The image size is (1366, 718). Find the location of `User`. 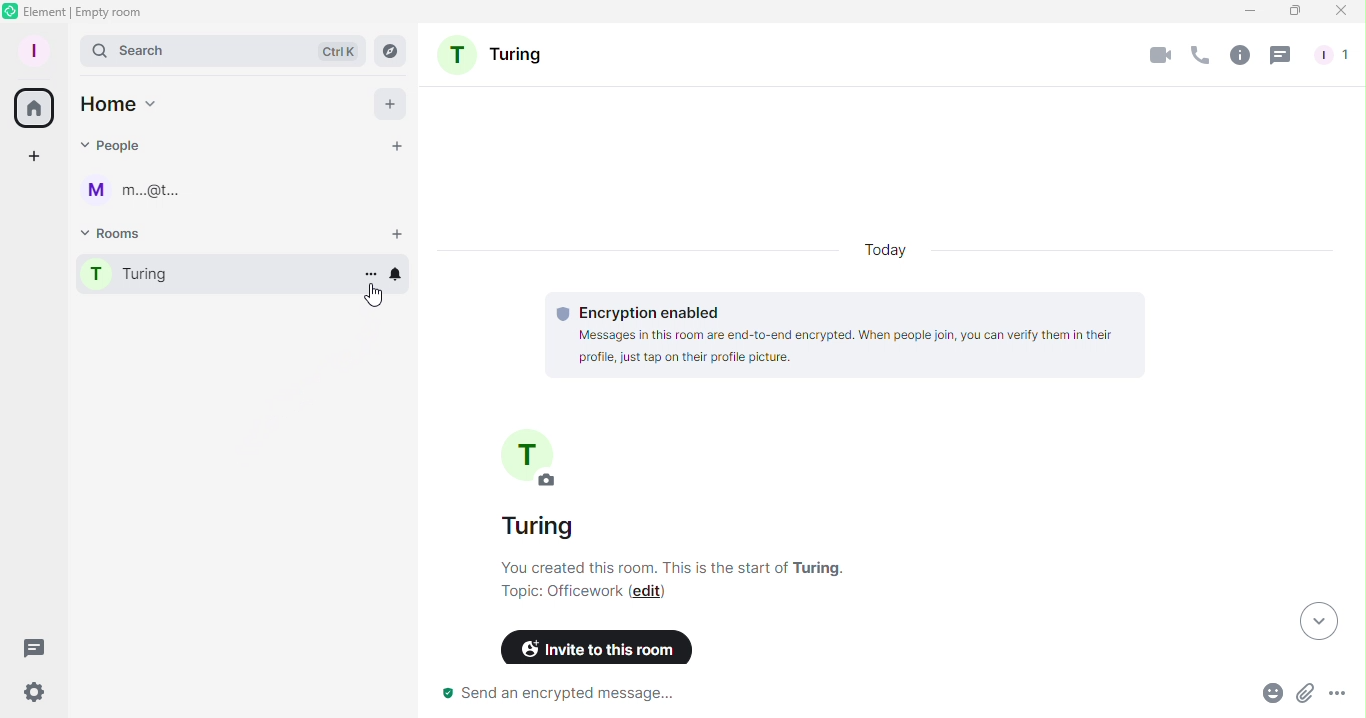

User is located at coordinates (142, 192).